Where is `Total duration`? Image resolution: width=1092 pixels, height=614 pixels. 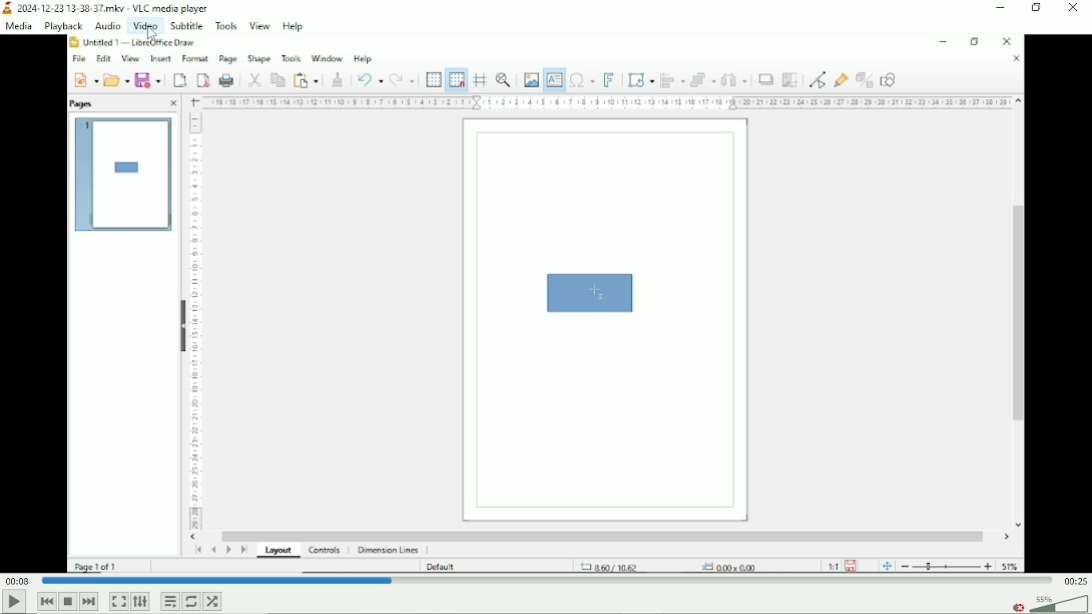 Total duration is located at coordinates (1076, 581).